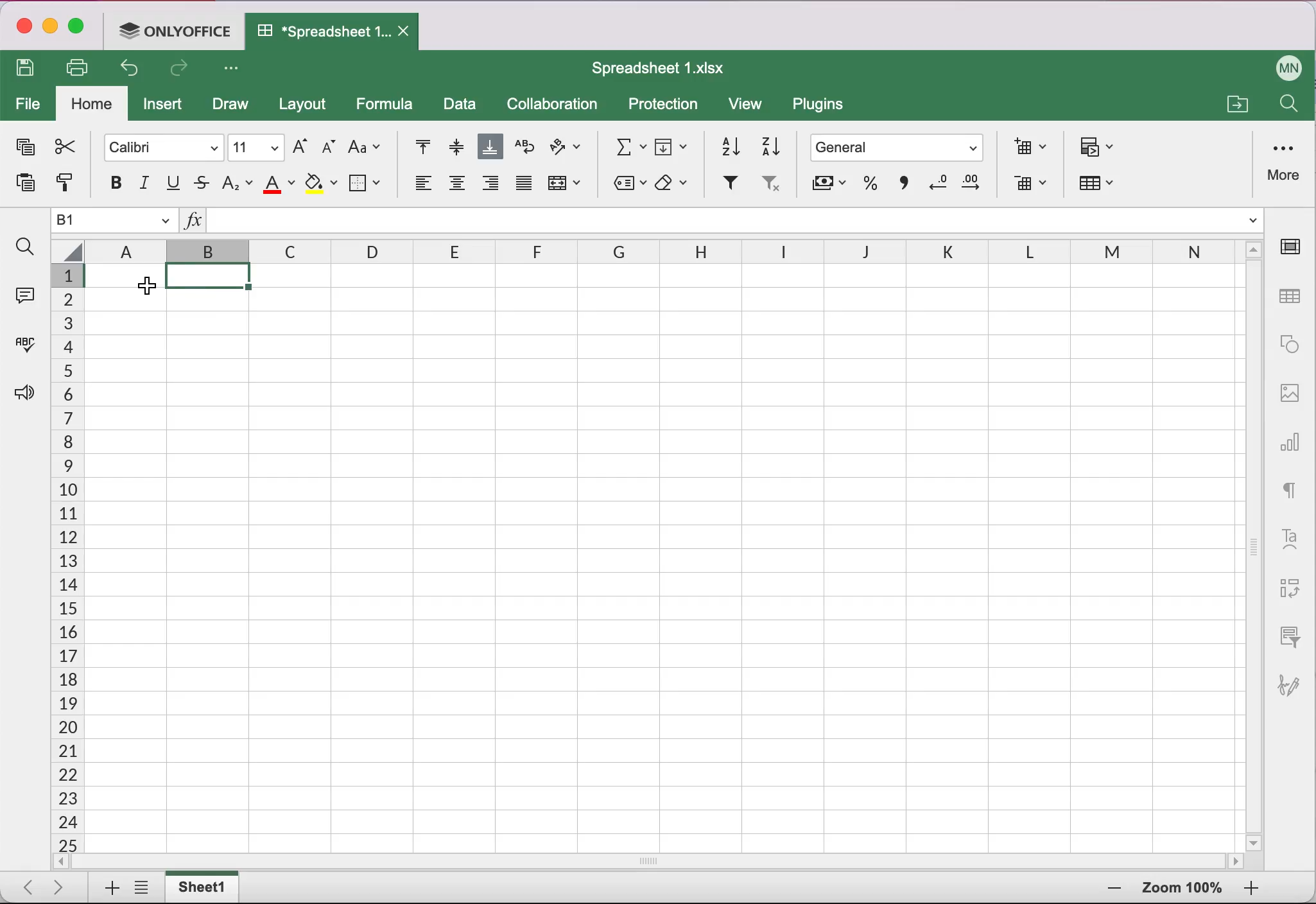  Describe the element at coordinates (524, 147) in the screenshot. I see `wrap text` at that location.